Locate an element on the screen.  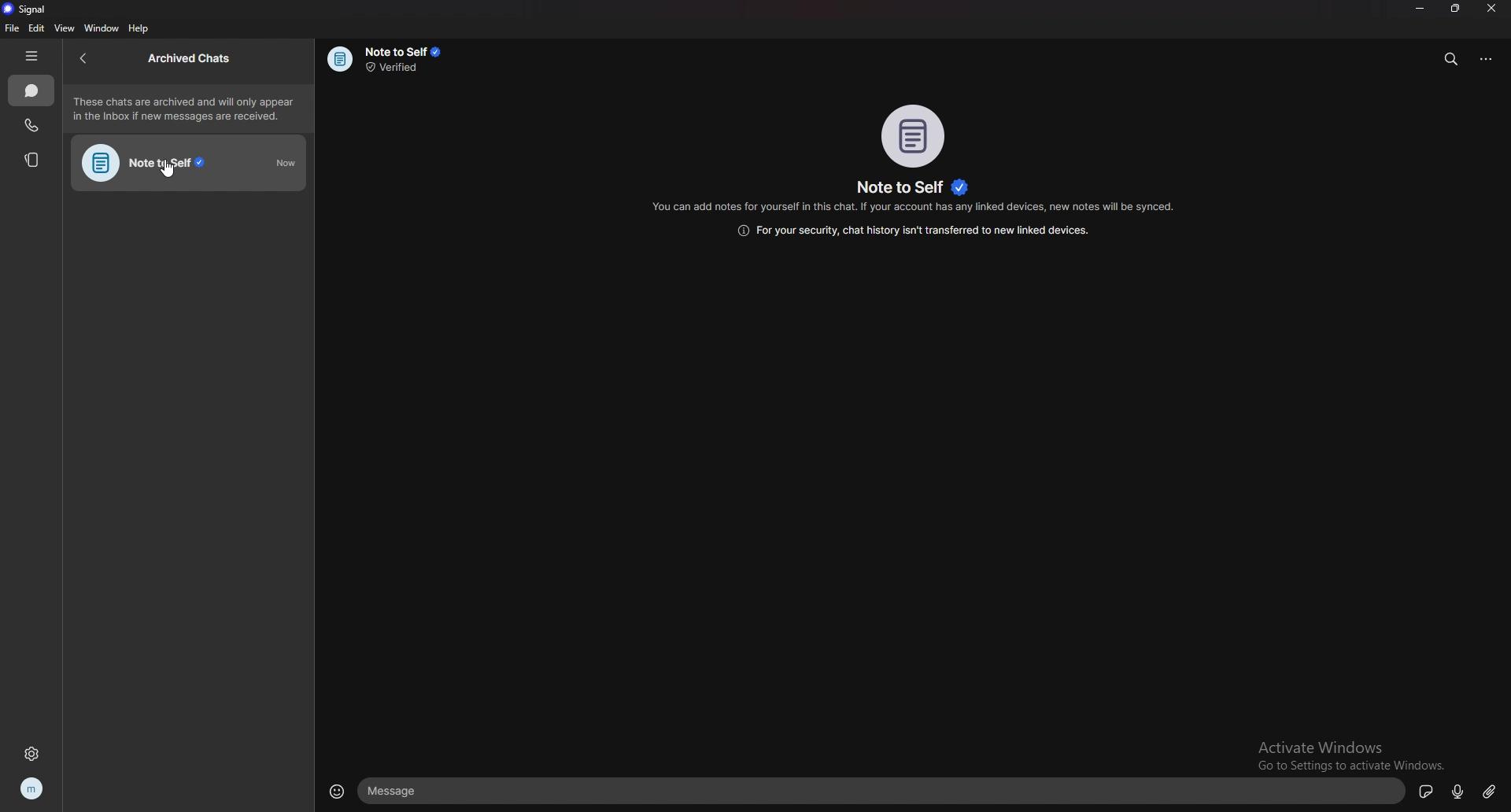
photo is located at coordinates (913, 136).